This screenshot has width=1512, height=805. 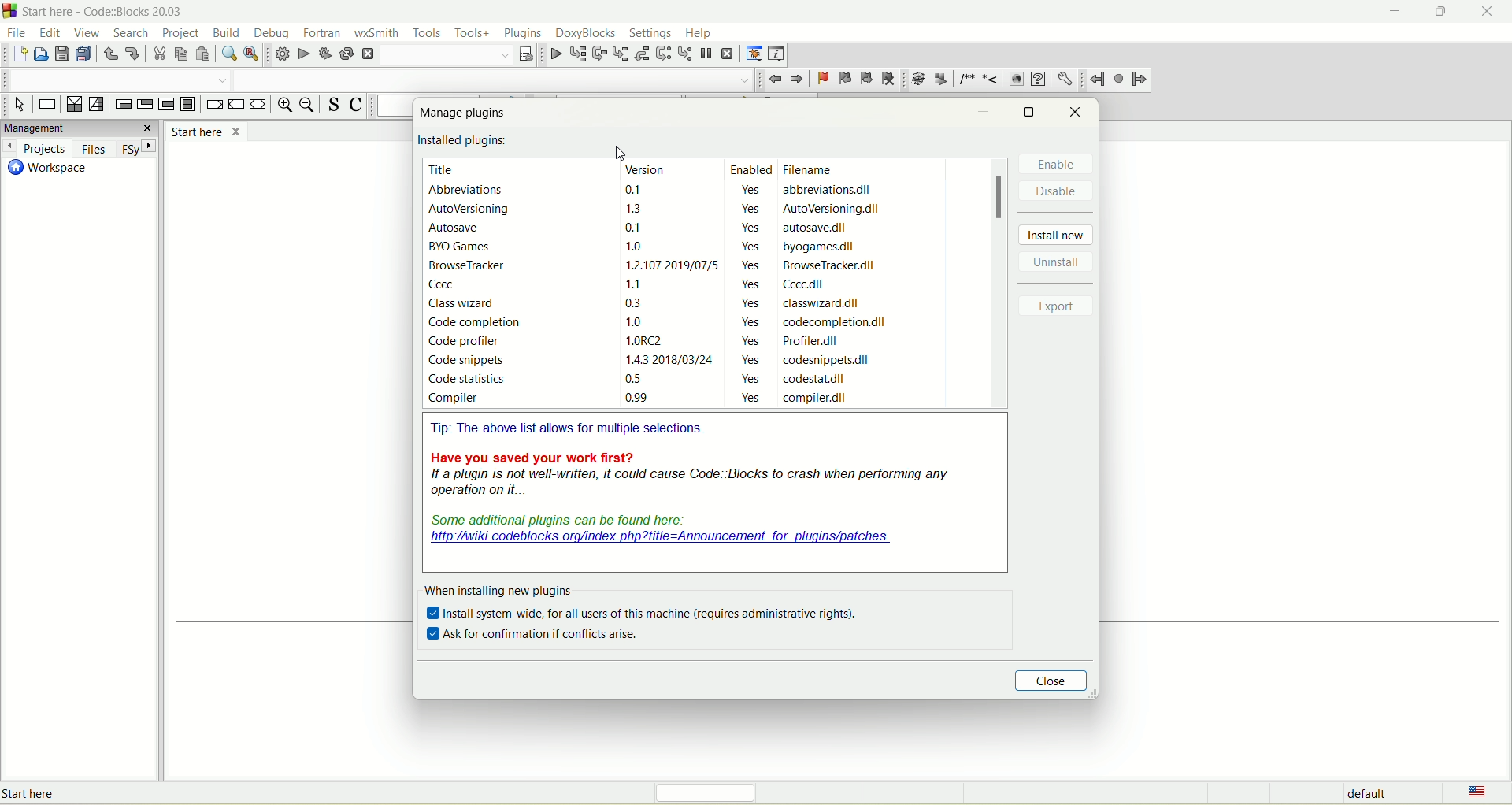 I want to click on install new, so click(x=1058, y=236).